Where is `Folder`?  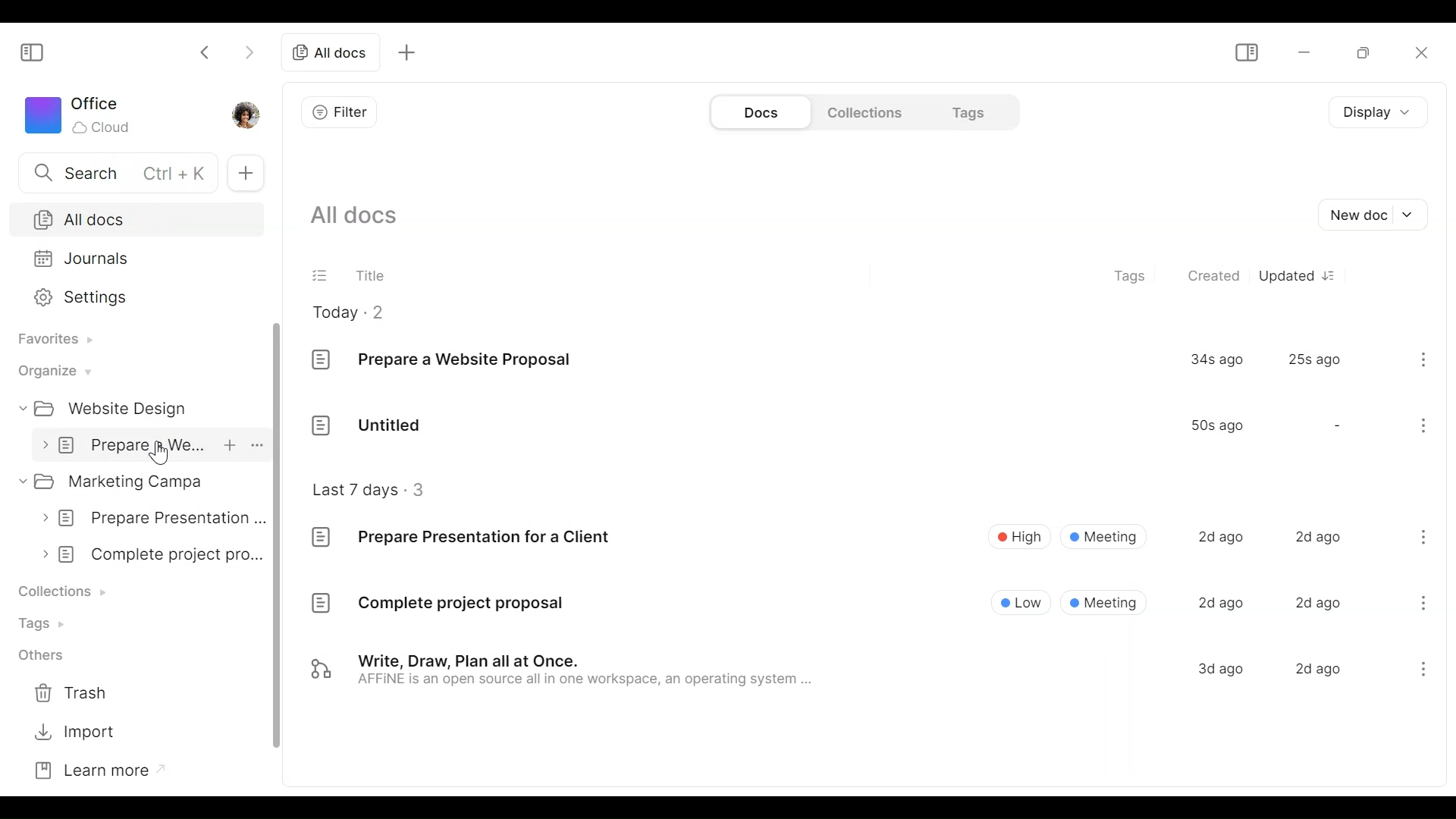 Folder is located at coordinates (137, 481).